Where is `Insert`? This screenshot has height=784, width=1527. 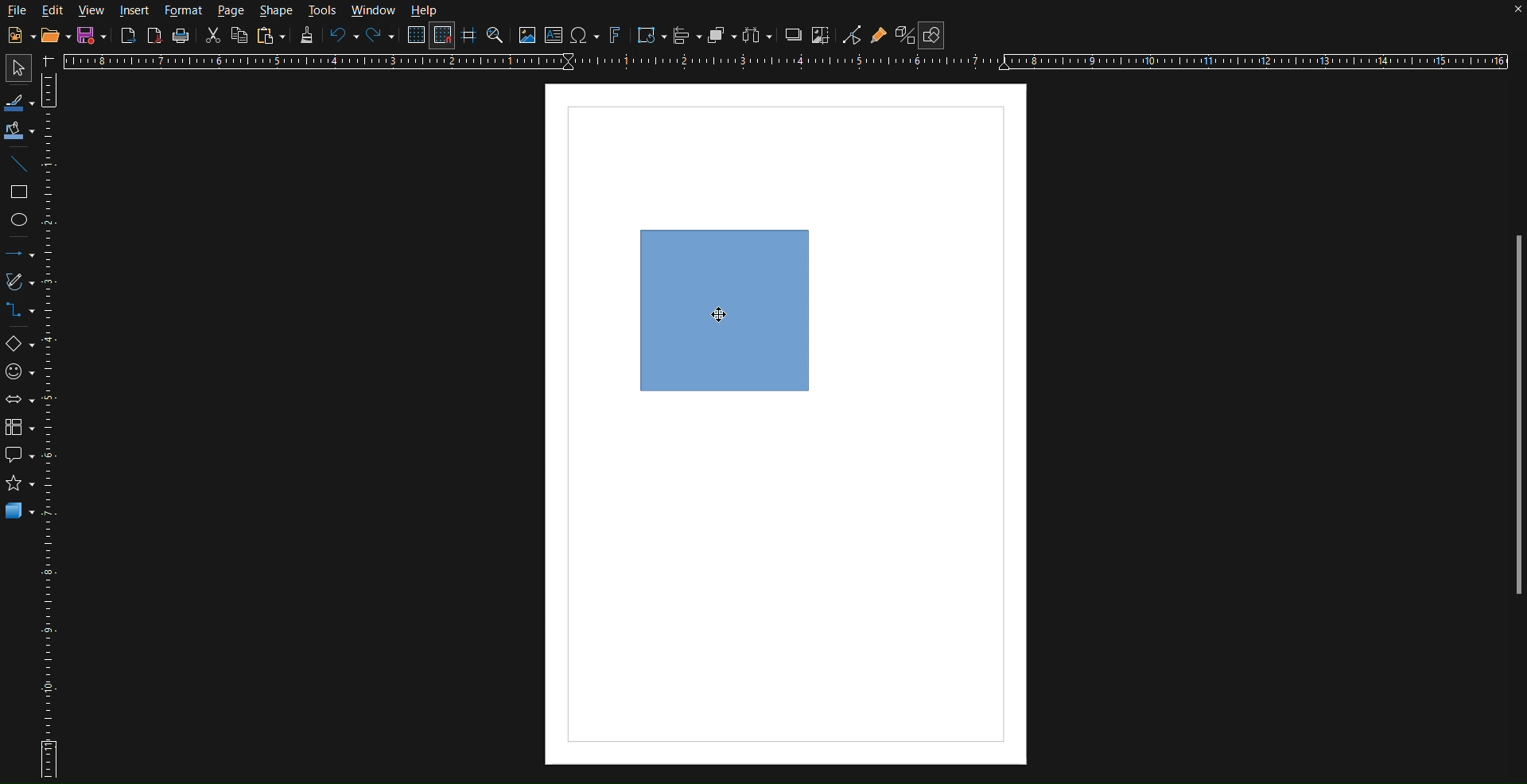 Insert is located at coordinates (136, 12).